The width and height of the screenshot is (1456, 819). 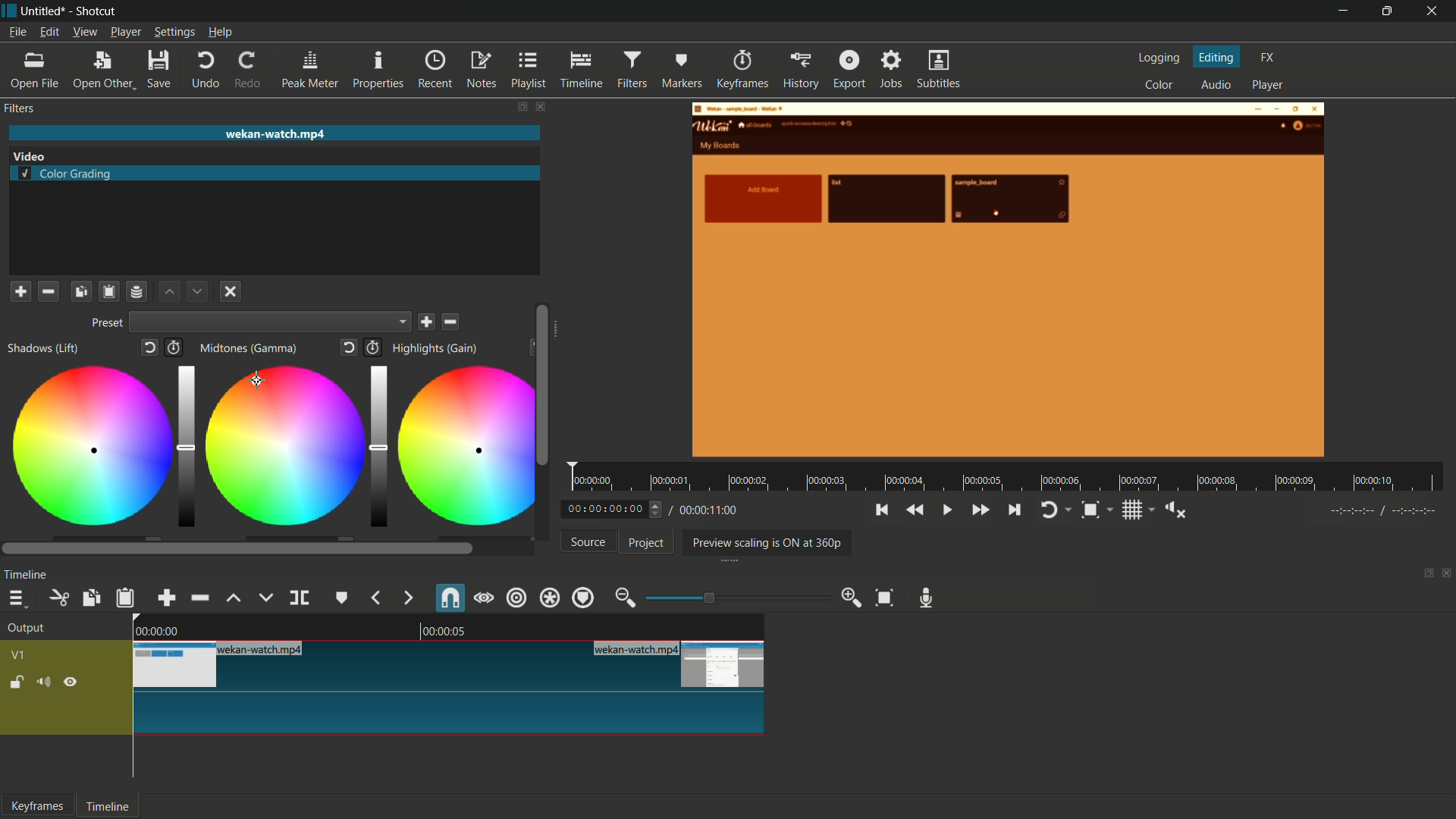 What do you see at coordinates (885, 598) in the screenshot?
I see `zoom timeline to fit` at bounding box center [885, 598].